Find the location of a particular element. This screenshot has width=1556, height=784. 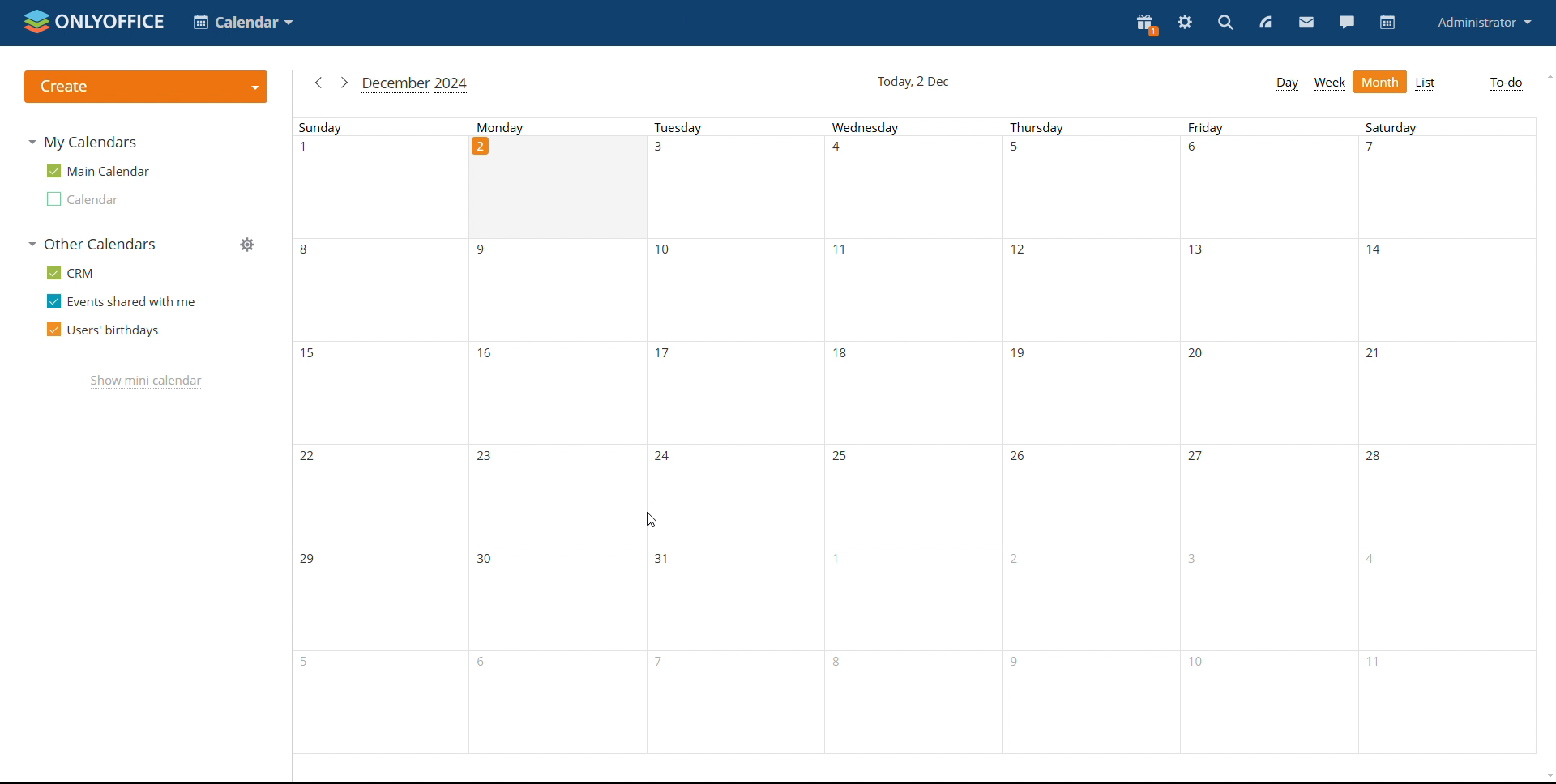

saturday is located at coordinates (1446, 436).